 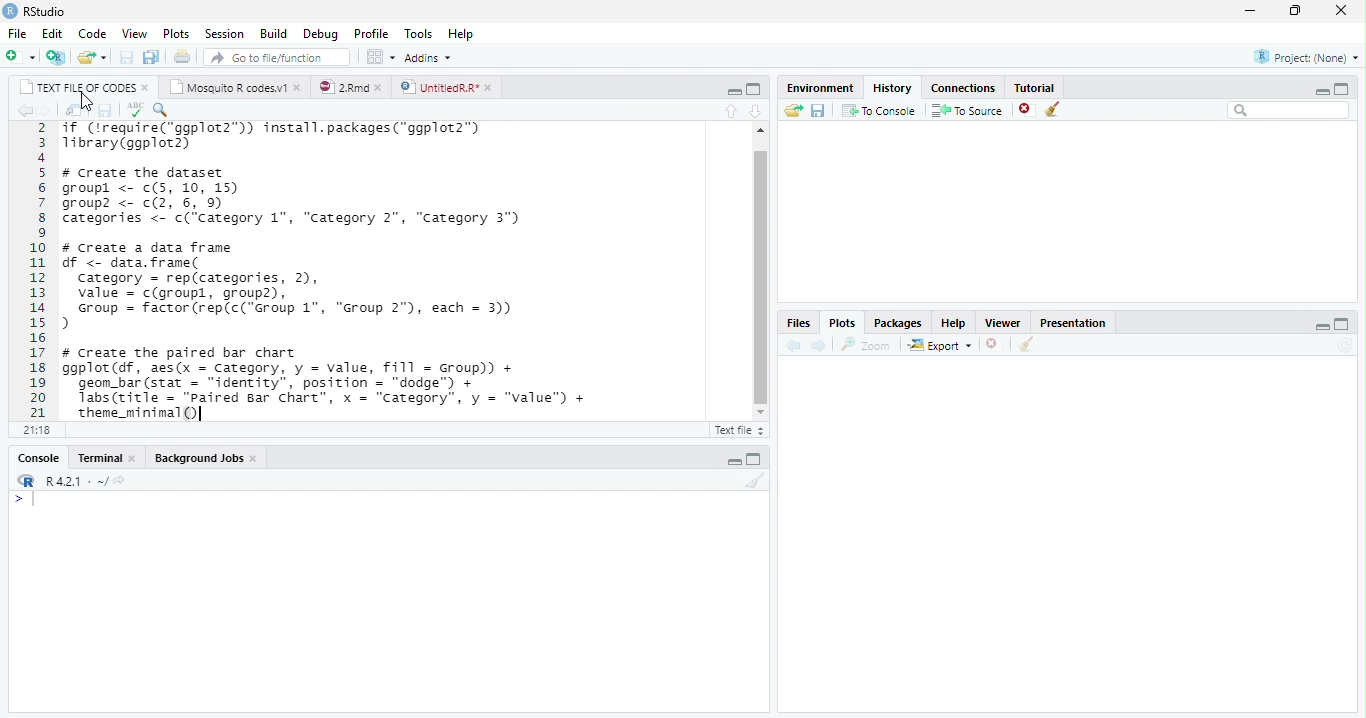 What do you see at coordinates (39, 430) in the screenshot?
I see `21:18` at bounding box center [39, 430].